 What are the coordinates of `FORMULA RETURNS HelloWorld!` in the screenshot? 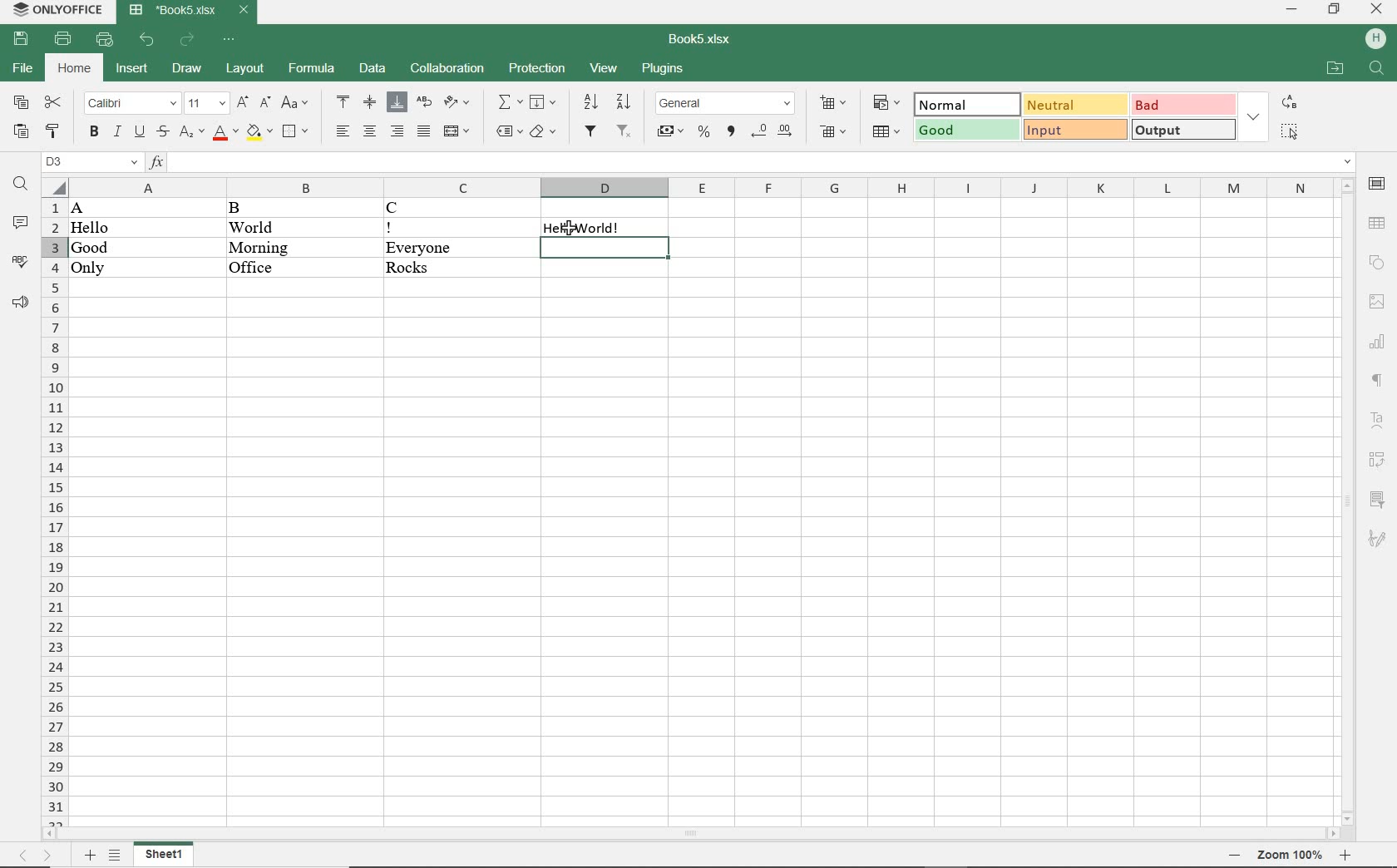 It's located at (612, 224).